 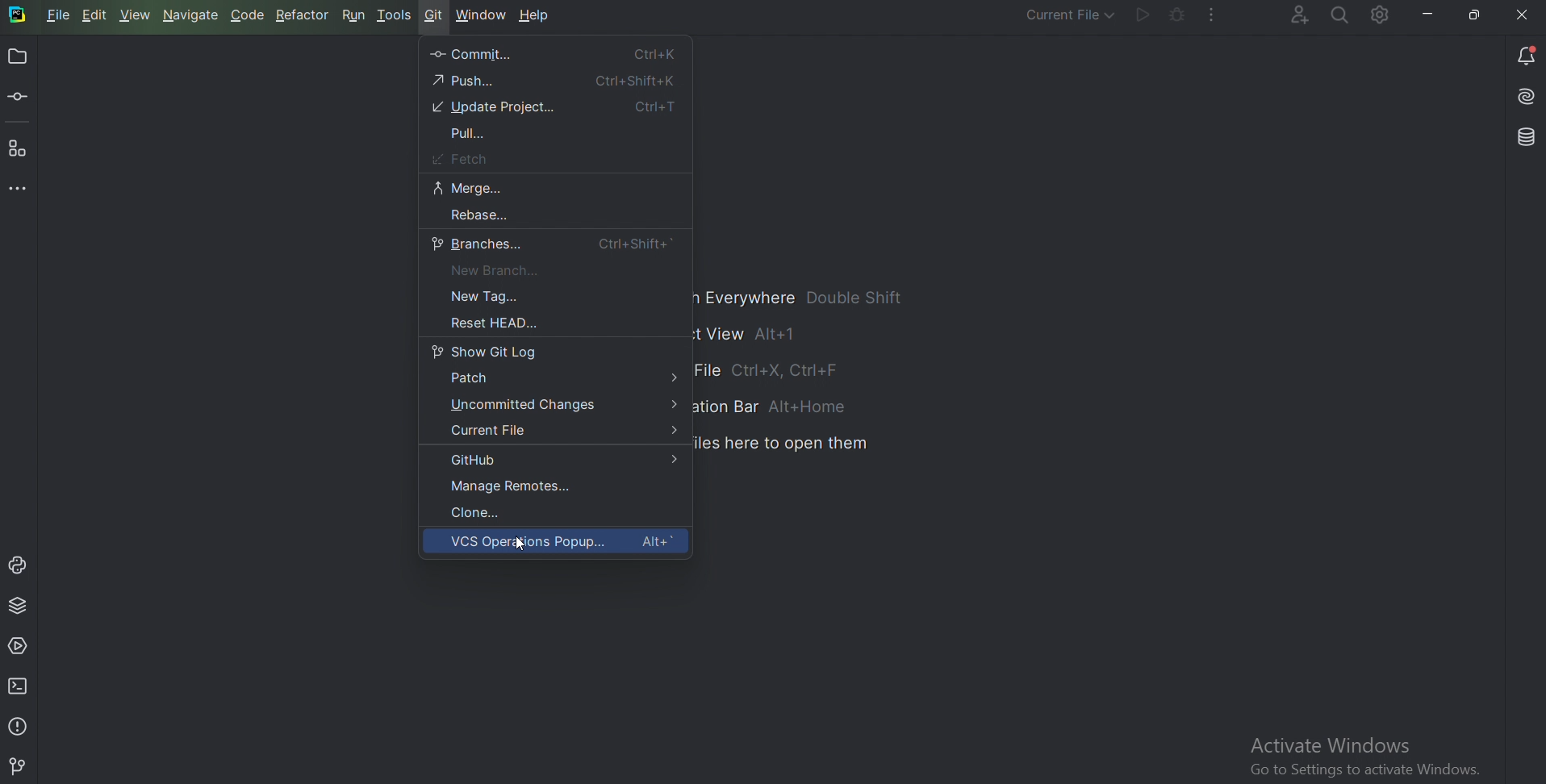 What do you see at coordinates (809, 298) in the screenshot?
I see `Search Everywhere` at bounding box center [809, 298].